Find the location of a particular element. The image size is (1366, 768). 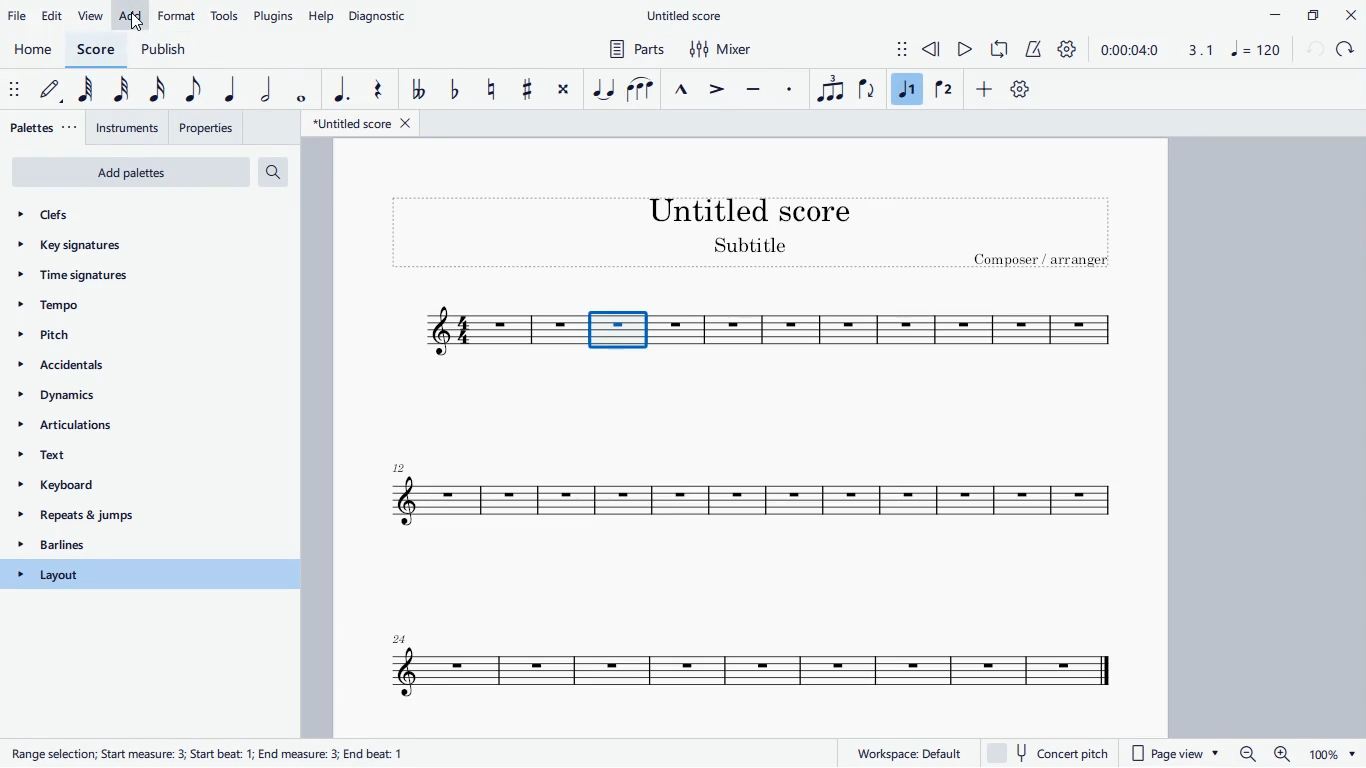

move is located at coordinates (890, 47).